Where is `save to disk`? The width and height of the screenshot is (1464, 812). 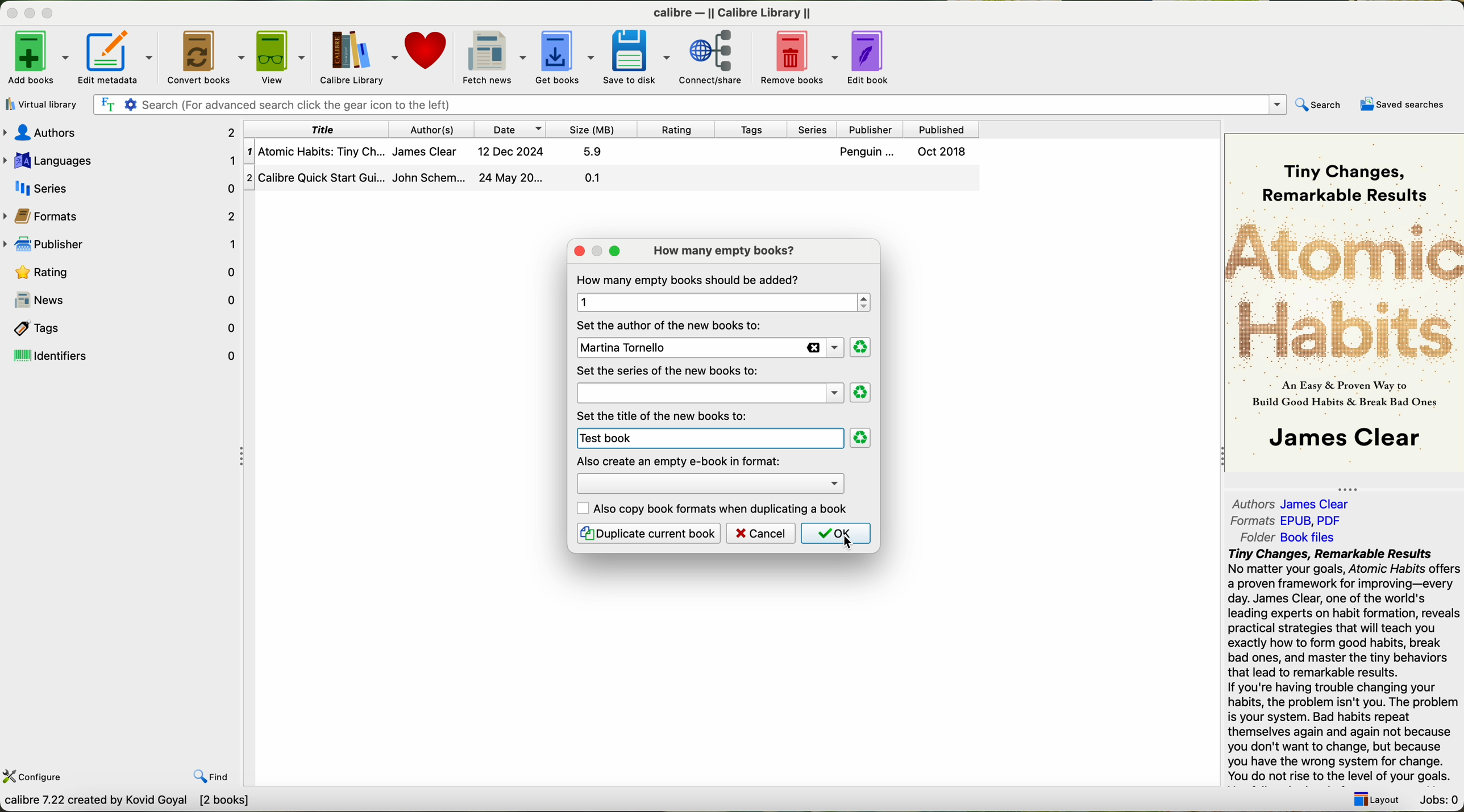 save to disk is located at coordinates (637, 57).